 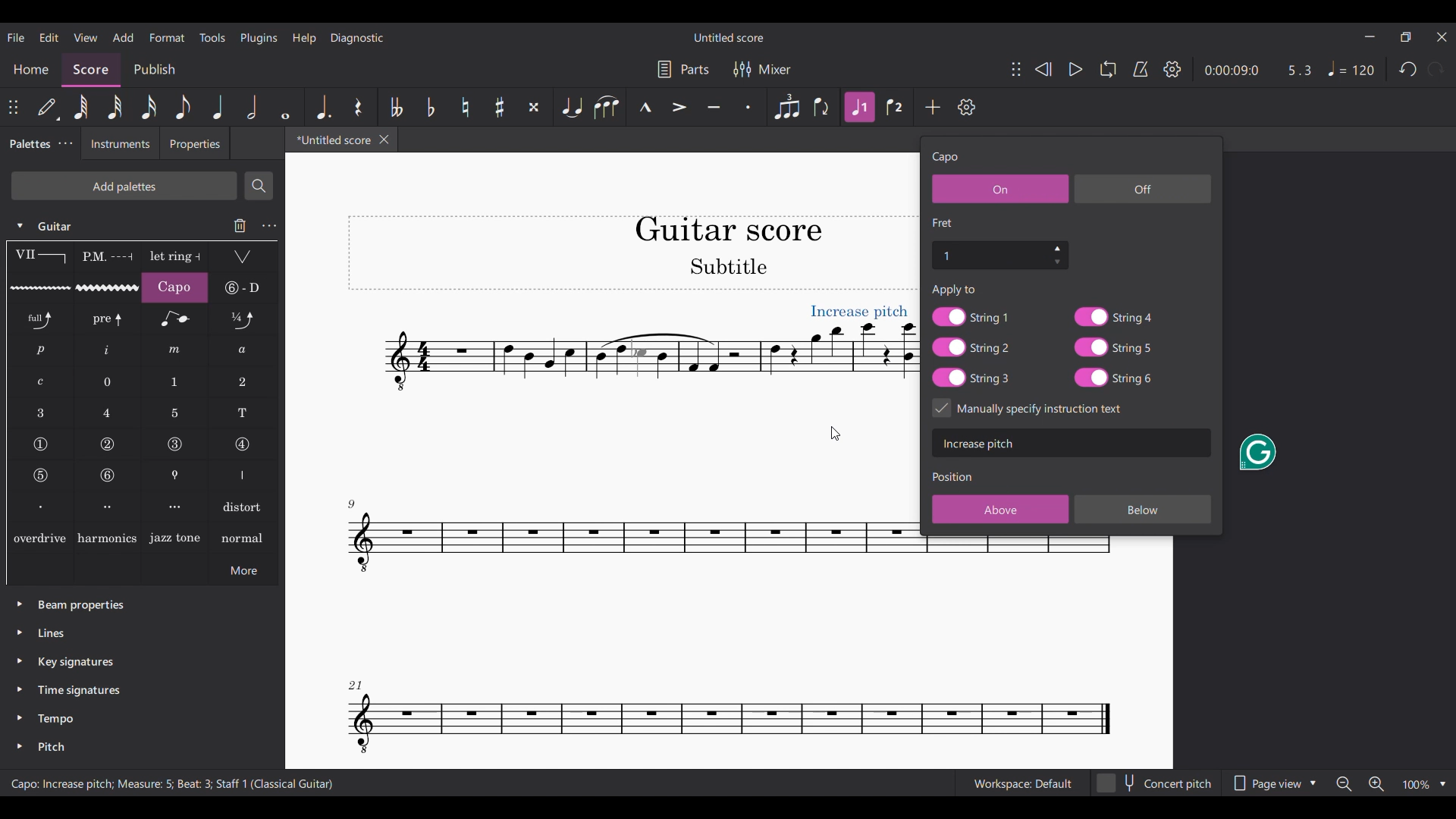 What do you see at coordinates (644, 108) in the screenshot?
I see `Marcato` at bounding box center [644, 108].